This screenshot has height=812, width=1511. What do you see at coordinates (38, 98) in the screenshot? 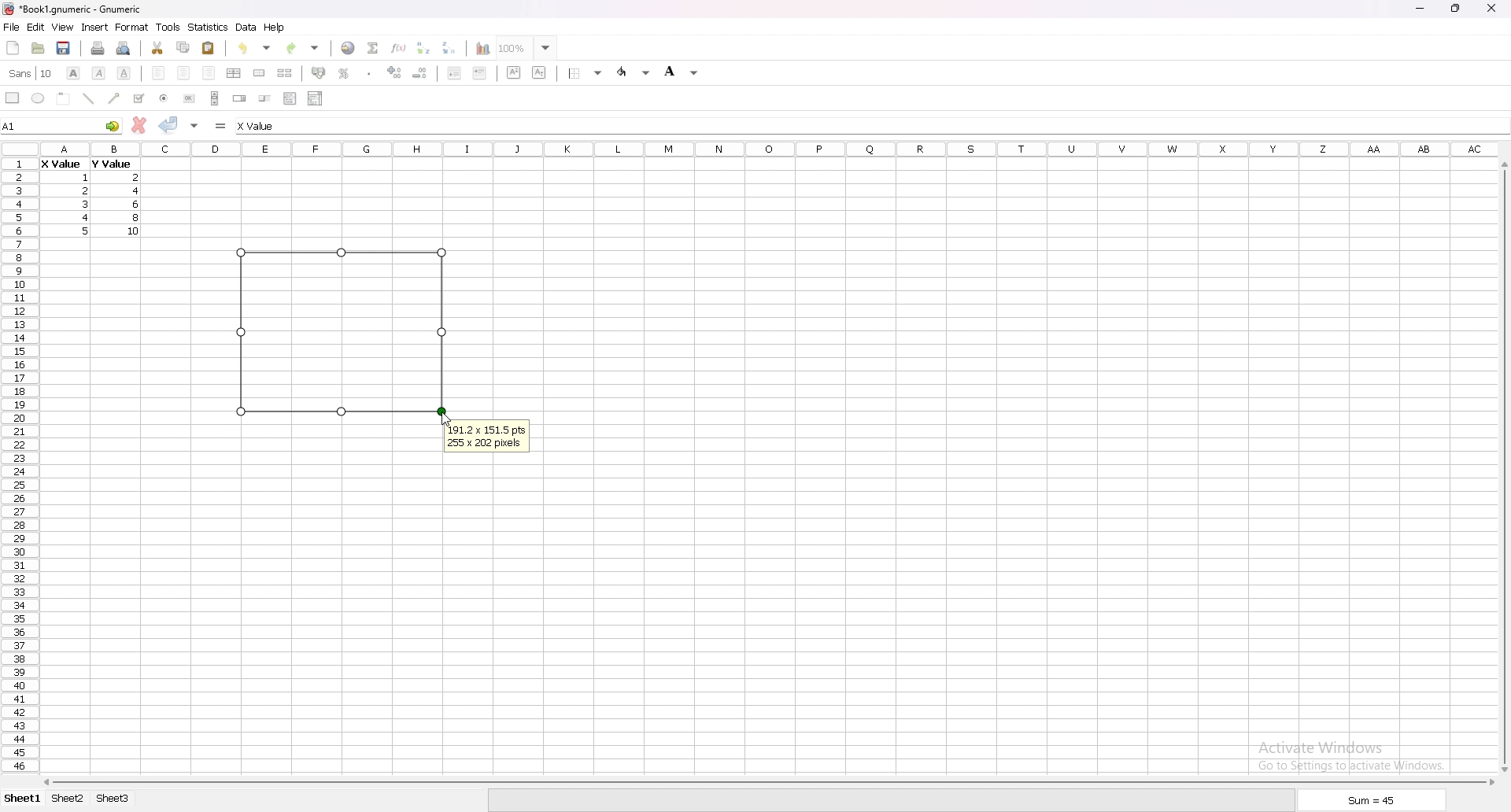
I see `ellipse` at bounding box center [38, 98].